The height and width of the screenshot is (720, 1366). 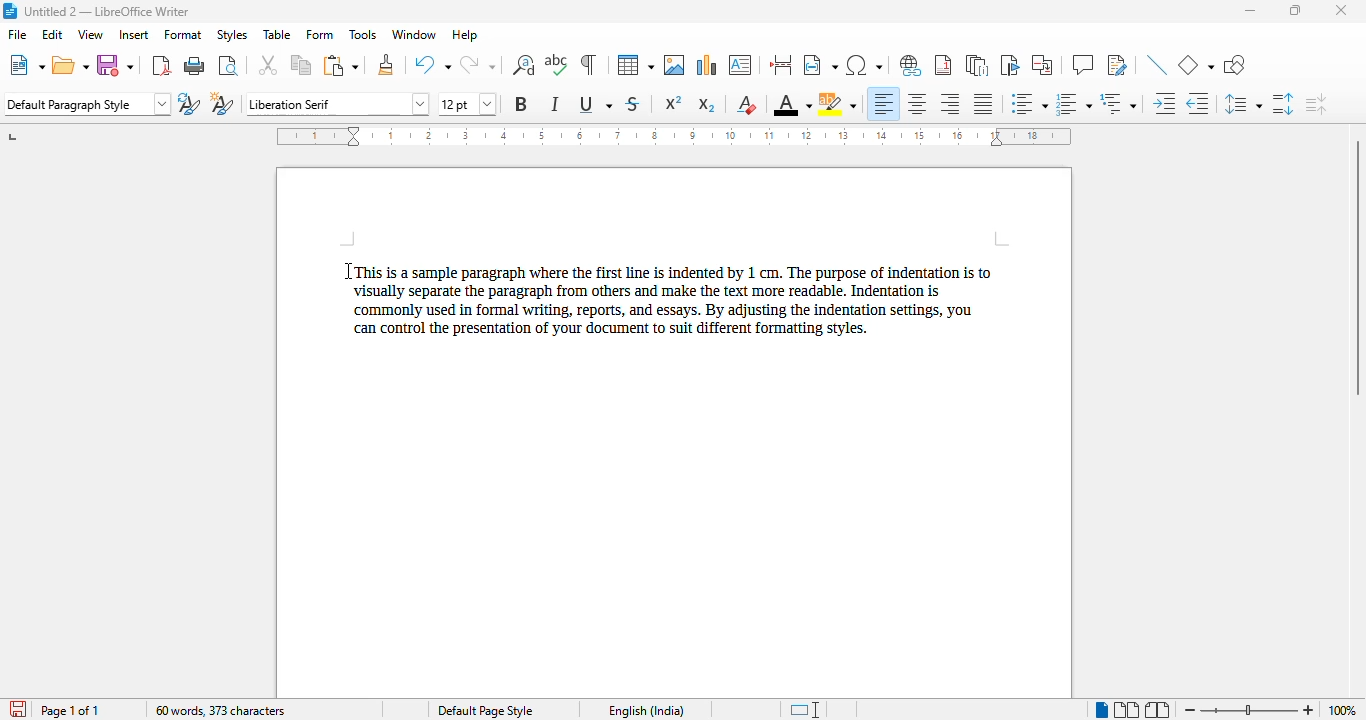 What do you see at coordinates (674, 136) in the screenshot?
I see `ruler` at bounding box center [674, 136].